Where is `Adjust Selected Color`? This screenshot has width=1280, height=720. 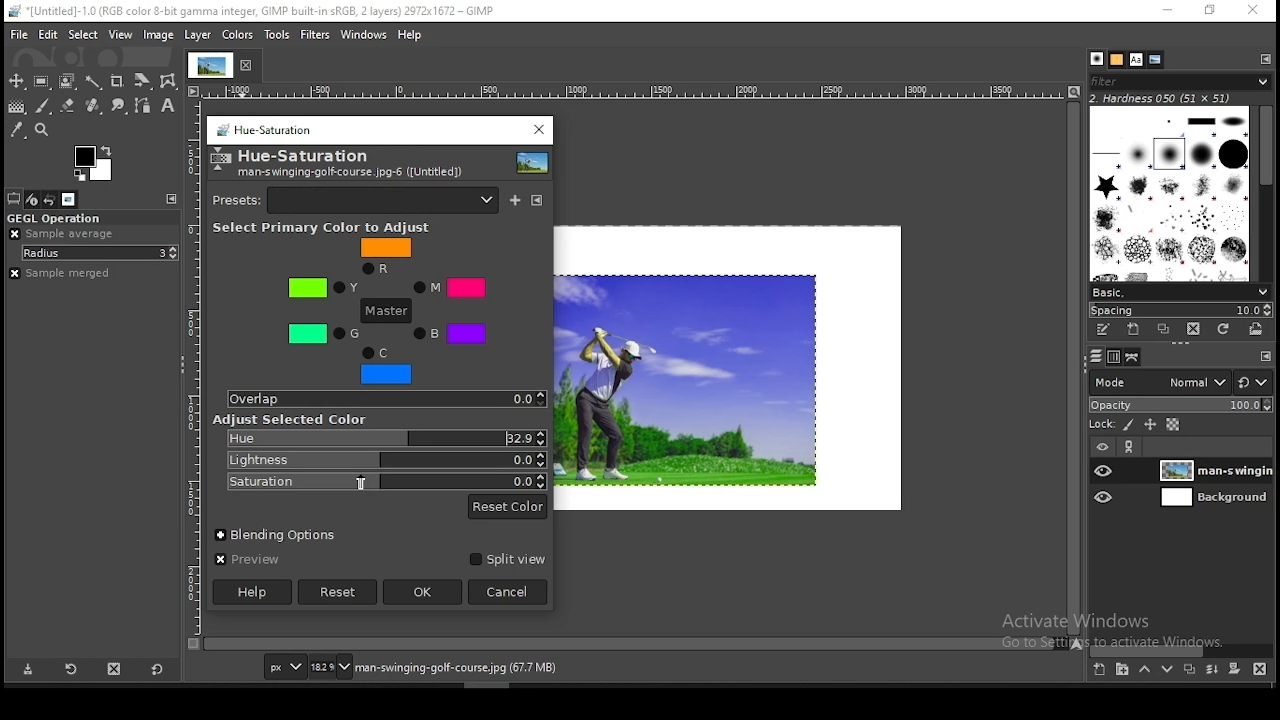
Adjust Selected Color is located at coordinates (291, 420).